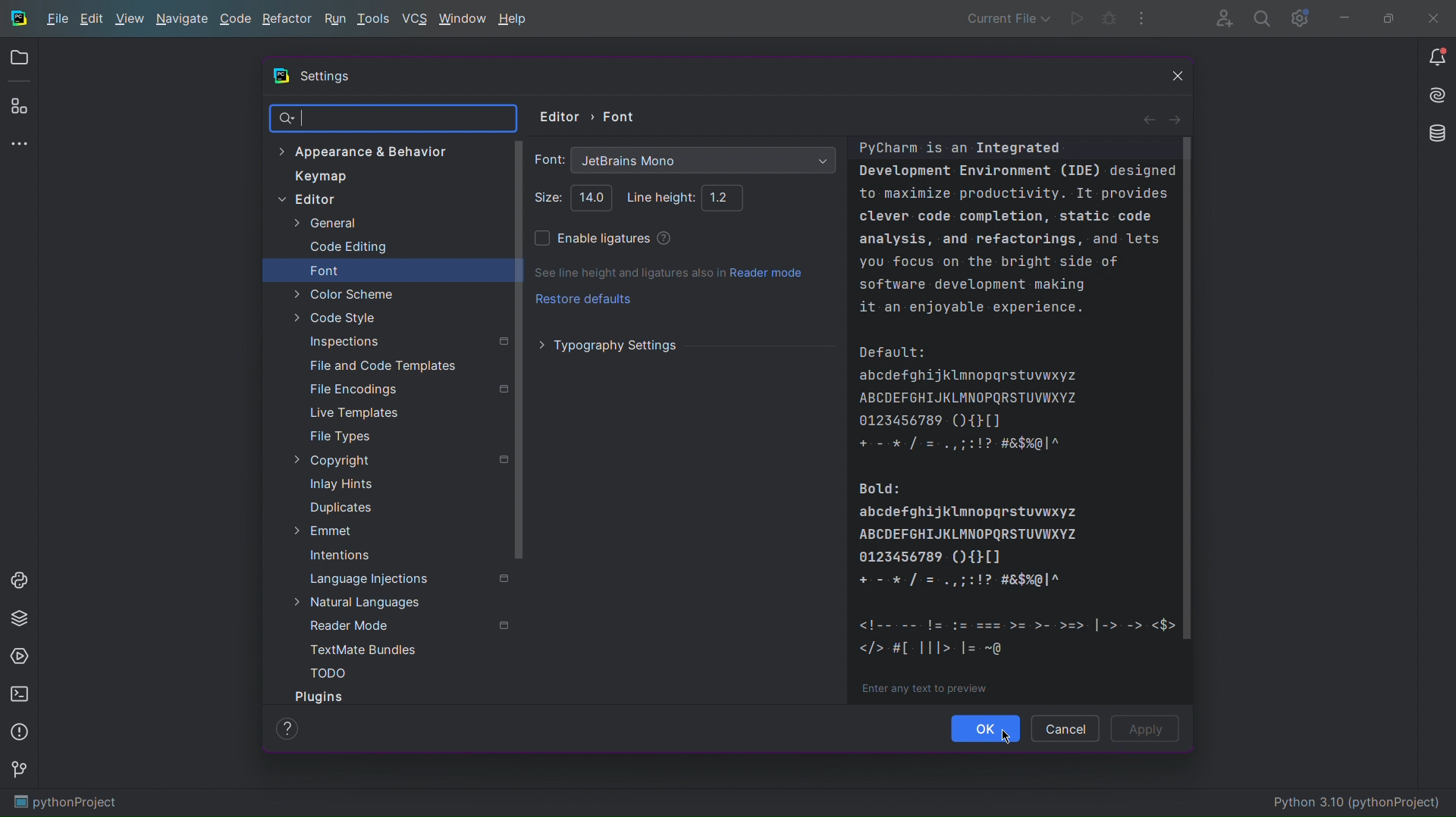  I want to click on Color Scheme, so click(341, 294).